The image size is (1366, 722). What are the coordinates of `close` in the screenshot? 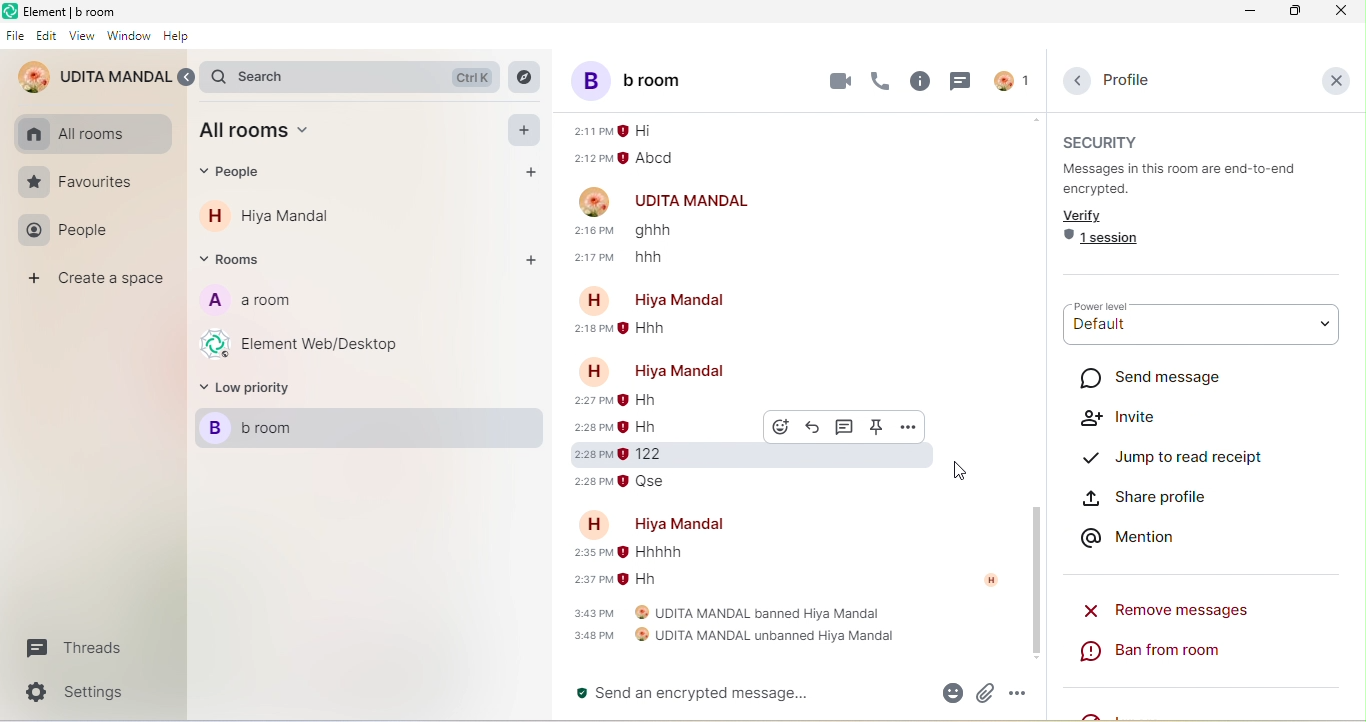 It's located at (1340, 11).